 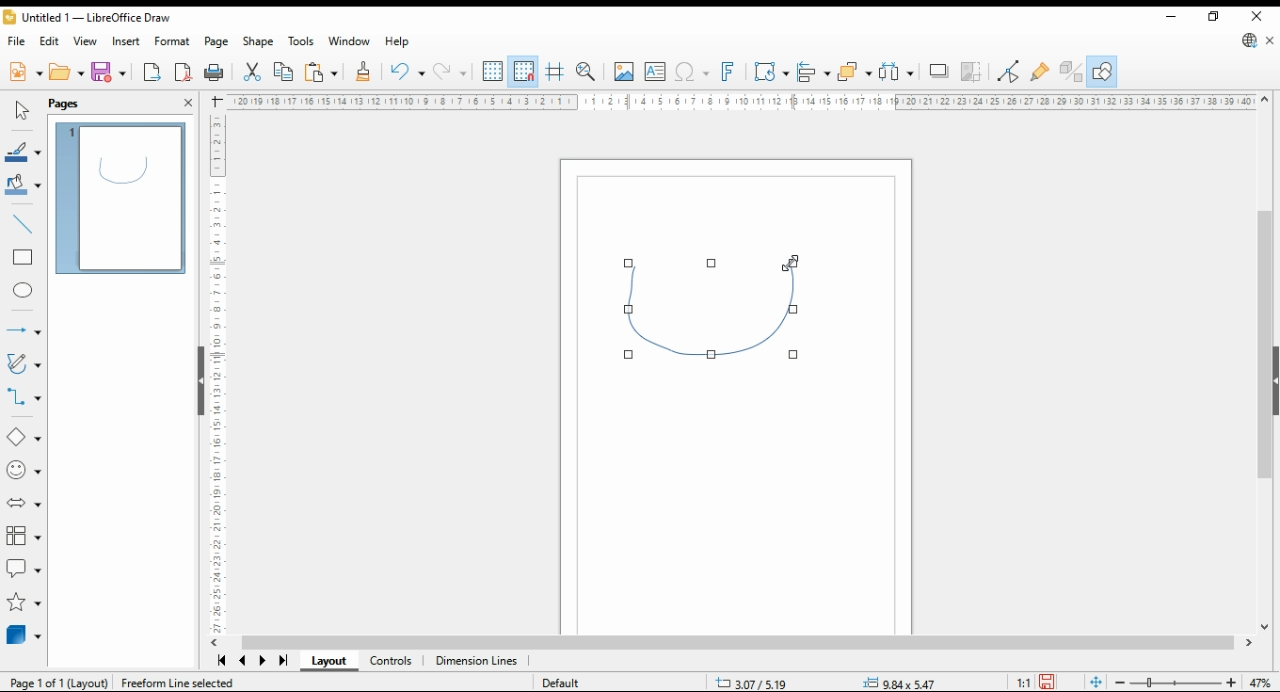 What do you see at coordinates (23, 183) in the screenshot?
I see `fill color` at bounding box center [23, 183].